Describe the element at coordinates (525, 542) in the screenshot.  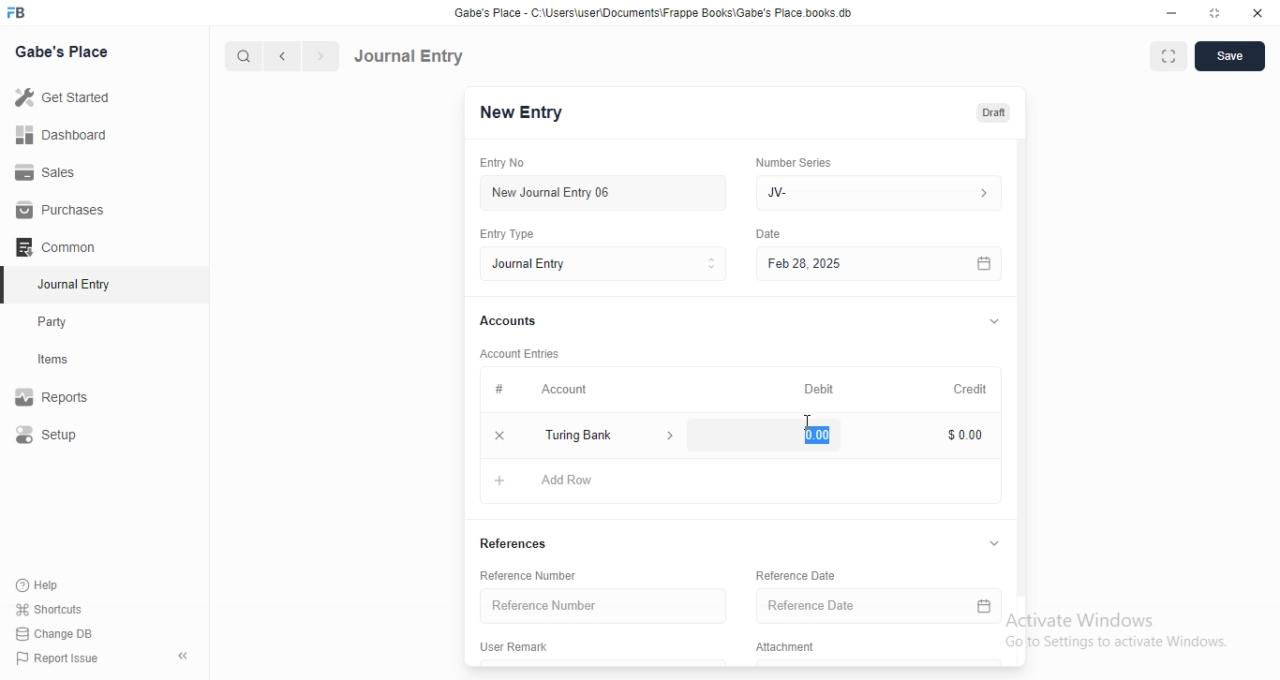
I see `References` at that location.